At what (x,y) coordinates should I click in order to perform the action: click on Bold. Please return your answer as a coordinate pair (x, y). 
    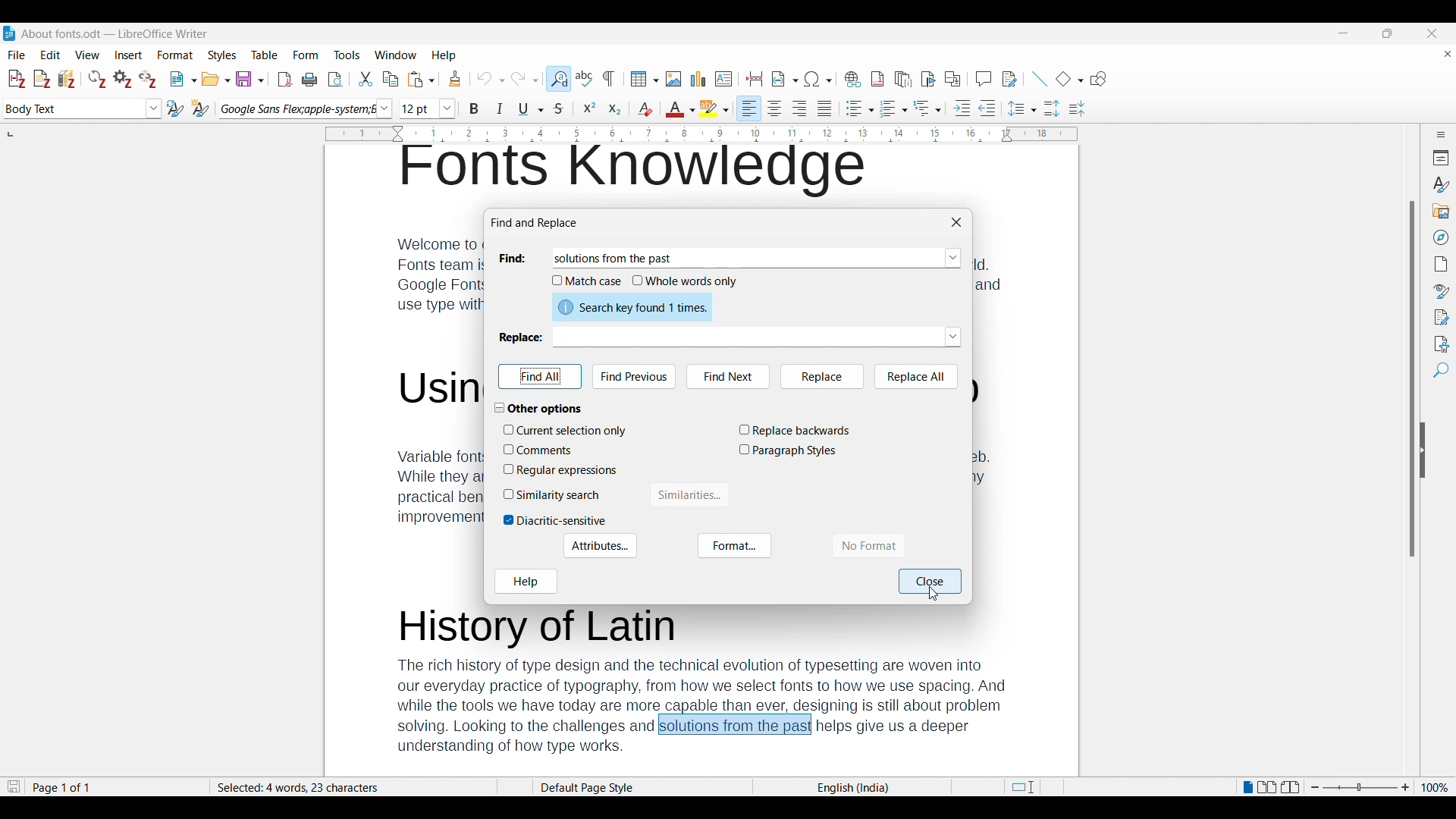
    Looking at the image, I should click on (475, 108).